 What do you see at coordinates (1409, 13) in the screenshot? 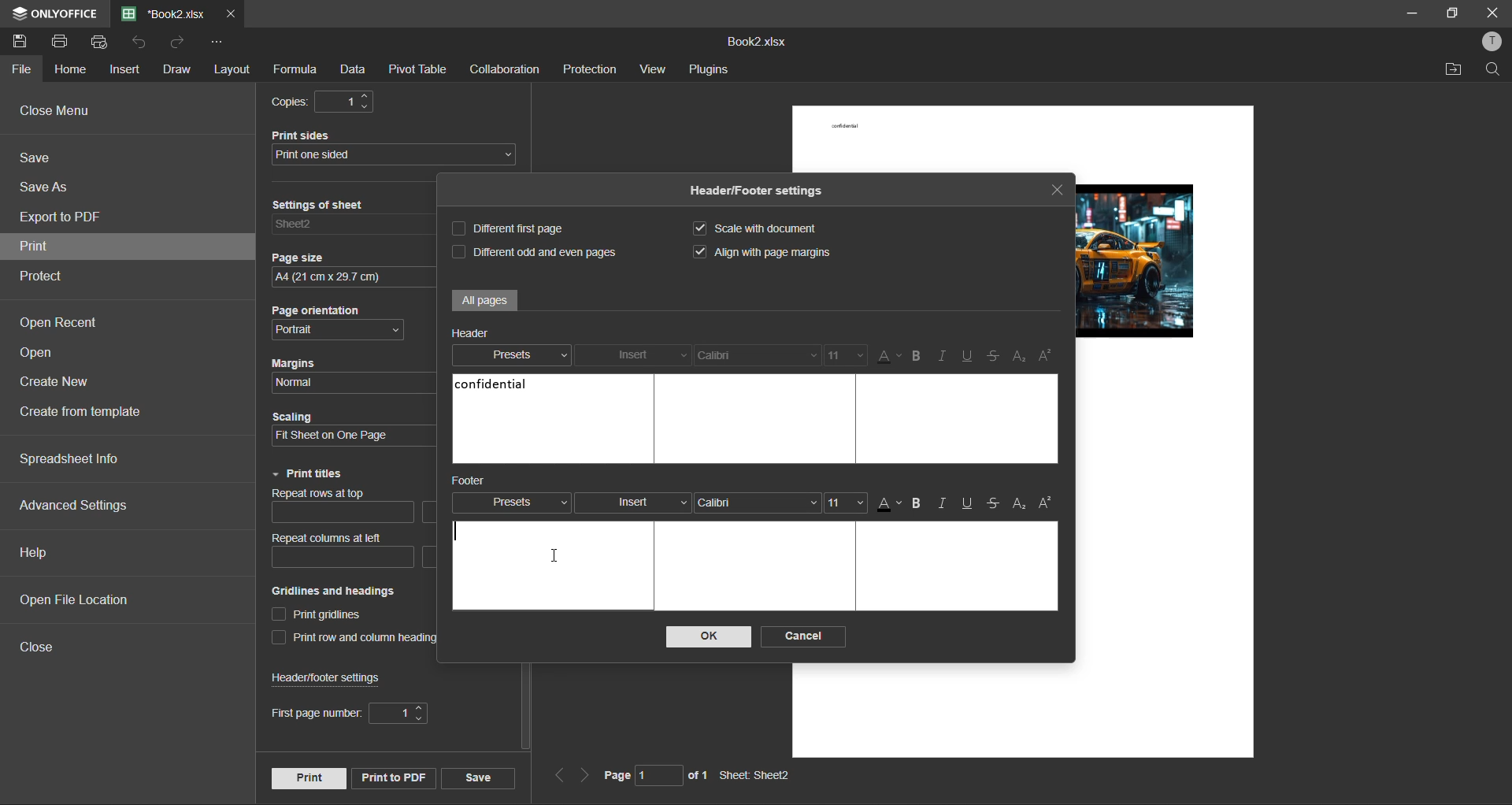
I see `minimize` at bounding box center [1409, 13].